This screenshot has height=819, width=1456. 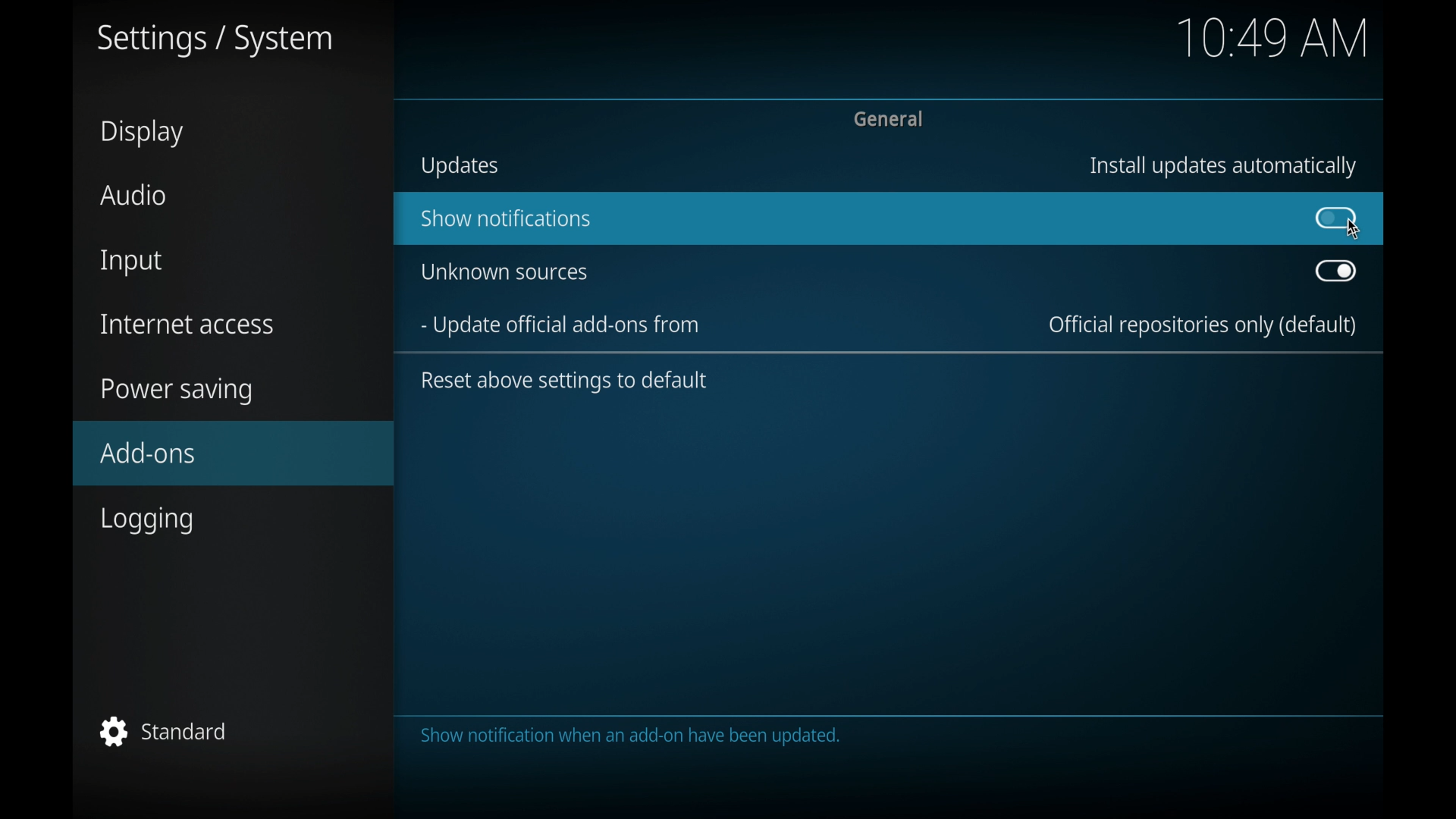 I want to click on toggle button, so click(x=1336, y=218).